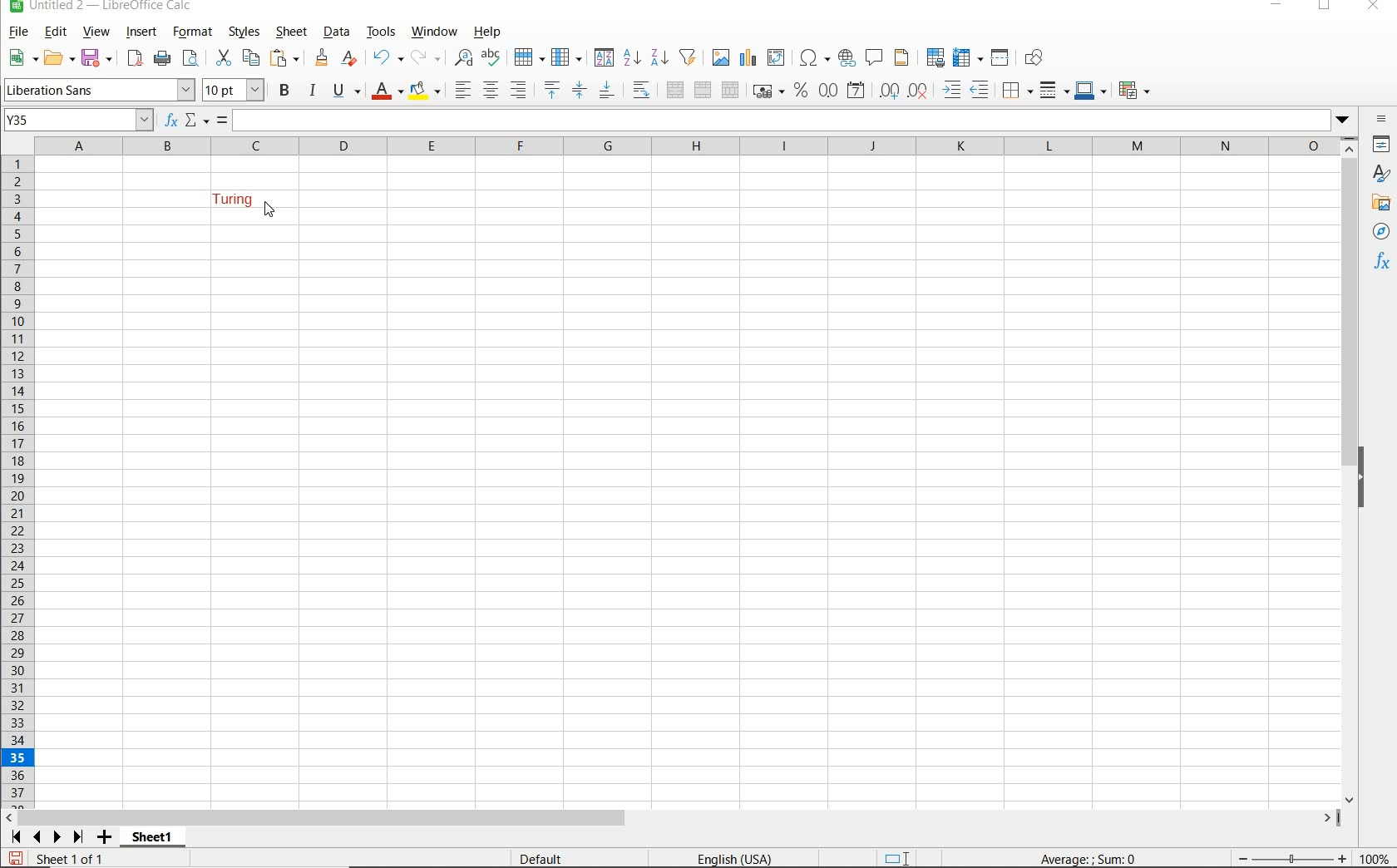 Image resolution: width=1397 pixels, height=868 pixels. What do you see at coordinates (935, 57) in the screenshot?
I see `DEFINE PRINT AREA` at bounding box center [935, 57].